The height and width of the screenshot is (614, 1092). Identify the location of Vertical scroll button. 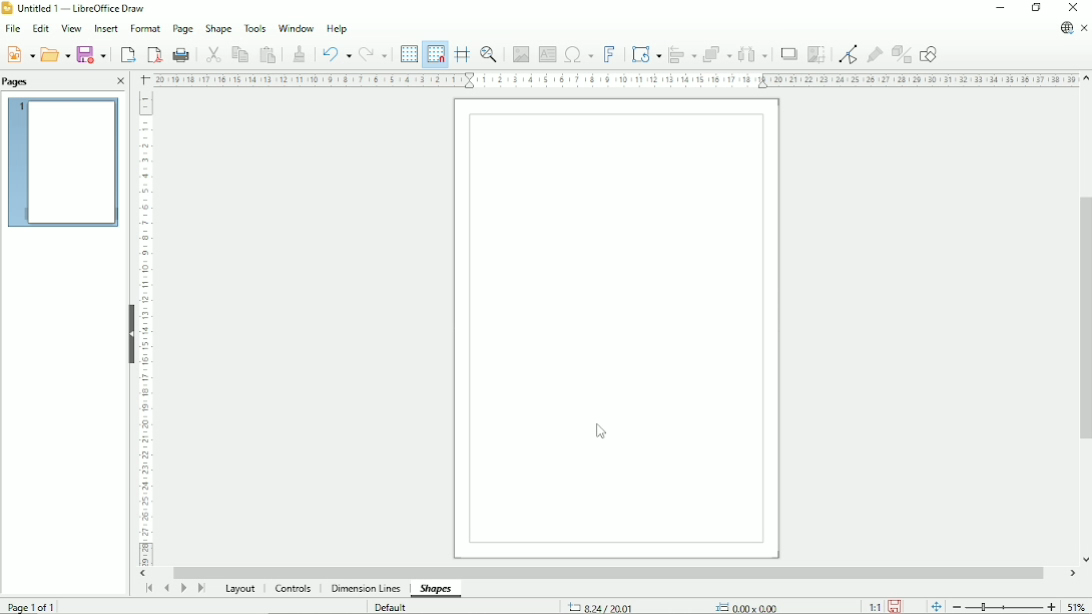
(1084, 559).